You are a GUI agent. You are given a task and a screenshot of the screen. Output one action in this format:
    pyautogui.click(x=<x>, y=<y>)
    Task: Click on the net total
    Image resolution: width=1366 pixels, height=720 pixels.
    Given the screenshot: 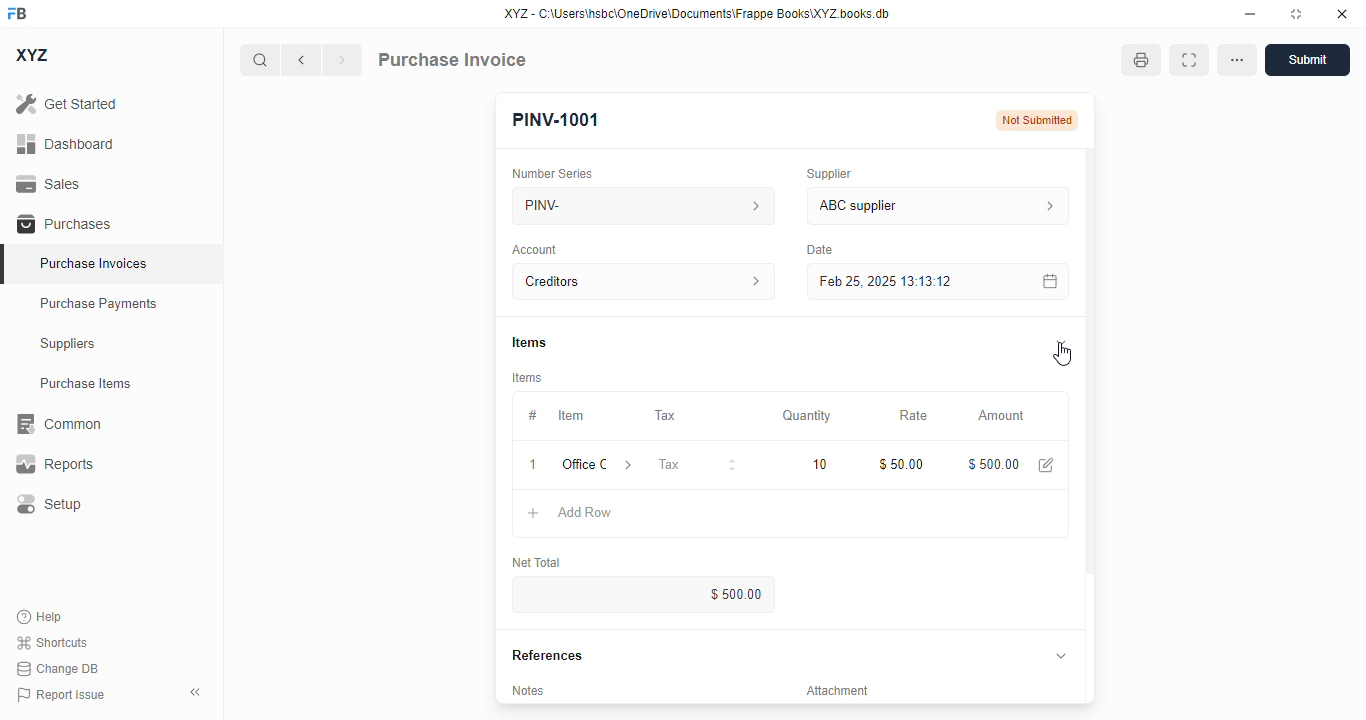 What is the action you would take?
    pyautogui.click(x=537, y=562)
    